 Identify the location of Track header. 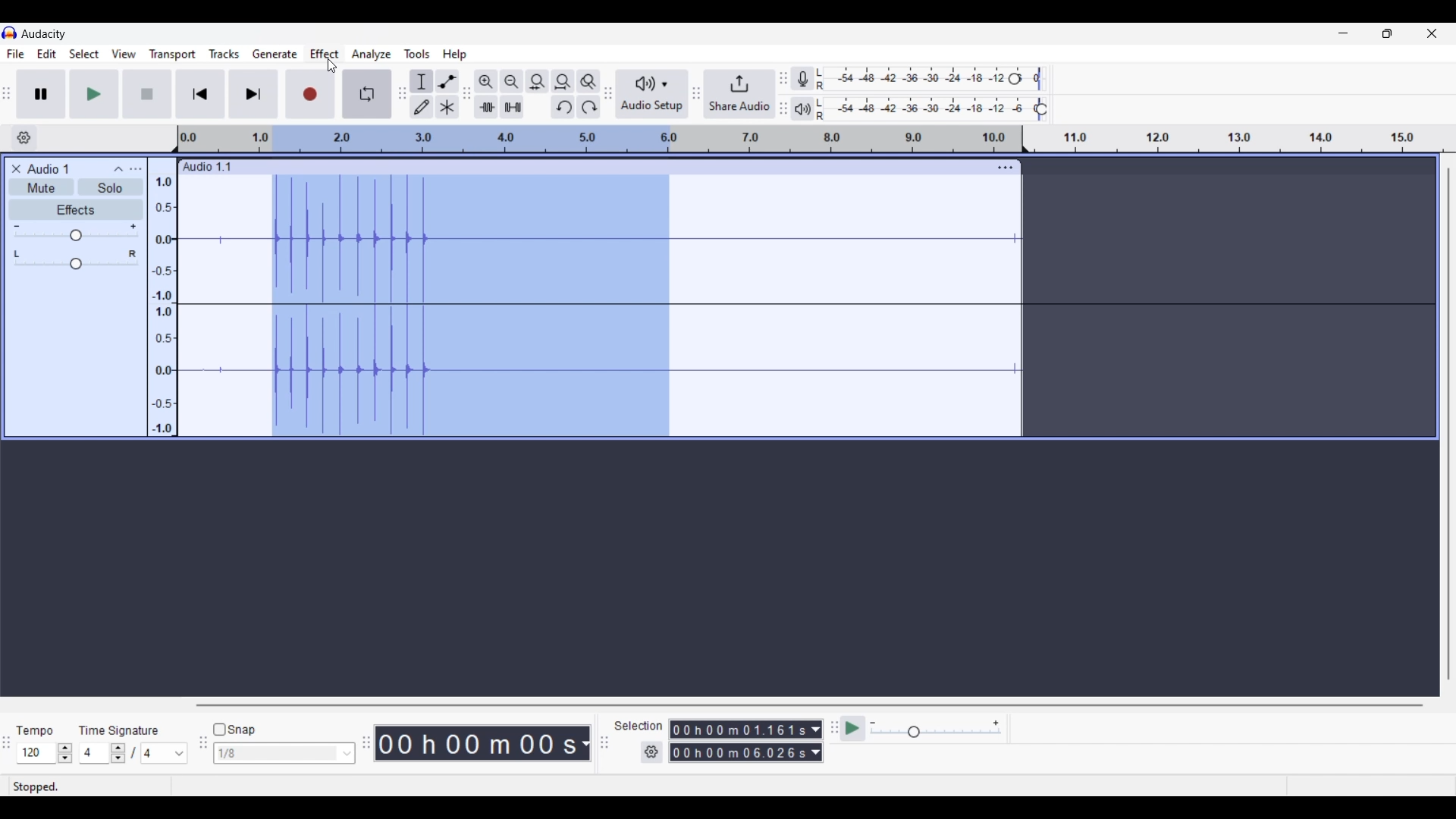
(1025, 140).